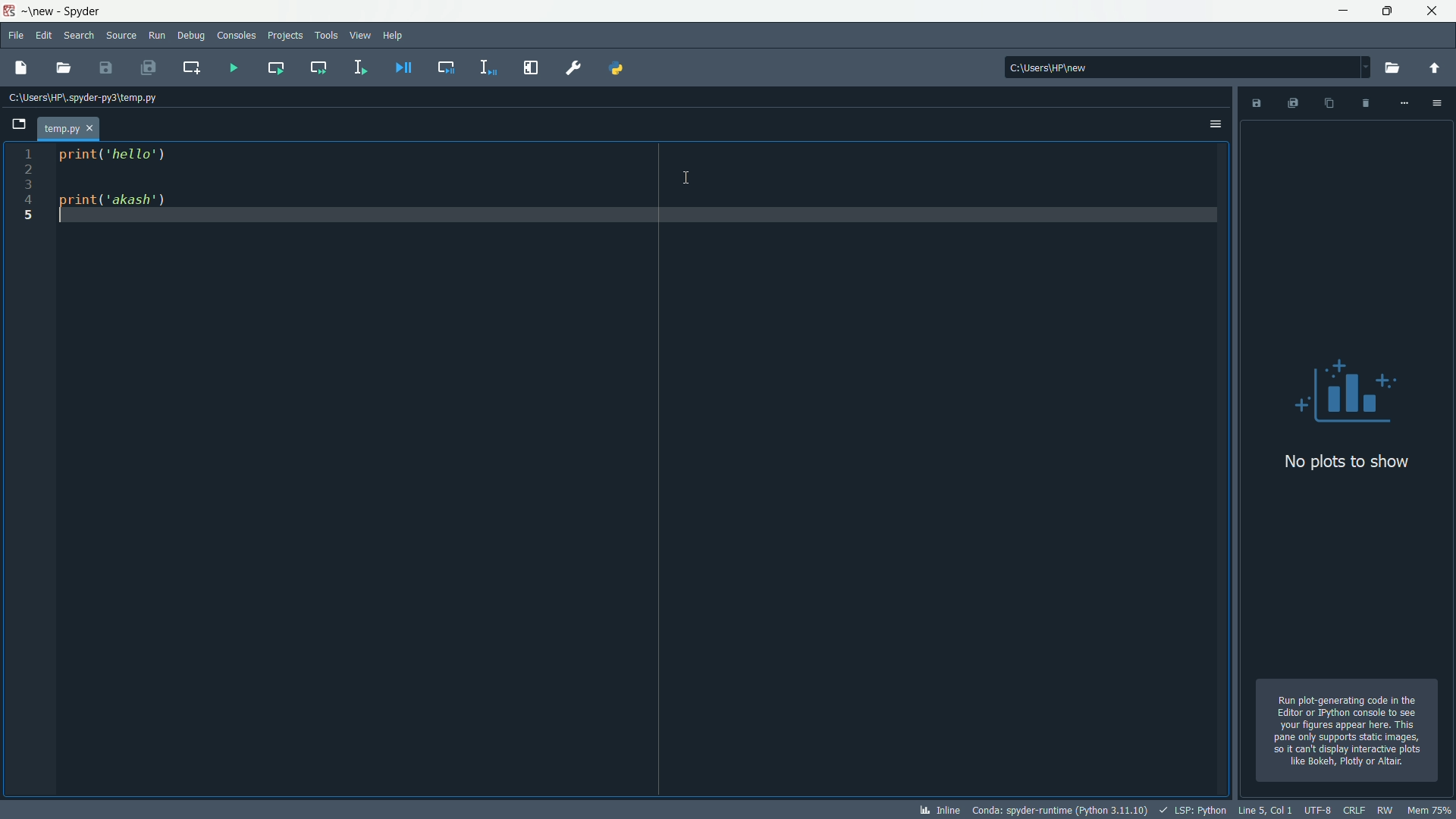  I want to click on crlf, so click(1355, 810).